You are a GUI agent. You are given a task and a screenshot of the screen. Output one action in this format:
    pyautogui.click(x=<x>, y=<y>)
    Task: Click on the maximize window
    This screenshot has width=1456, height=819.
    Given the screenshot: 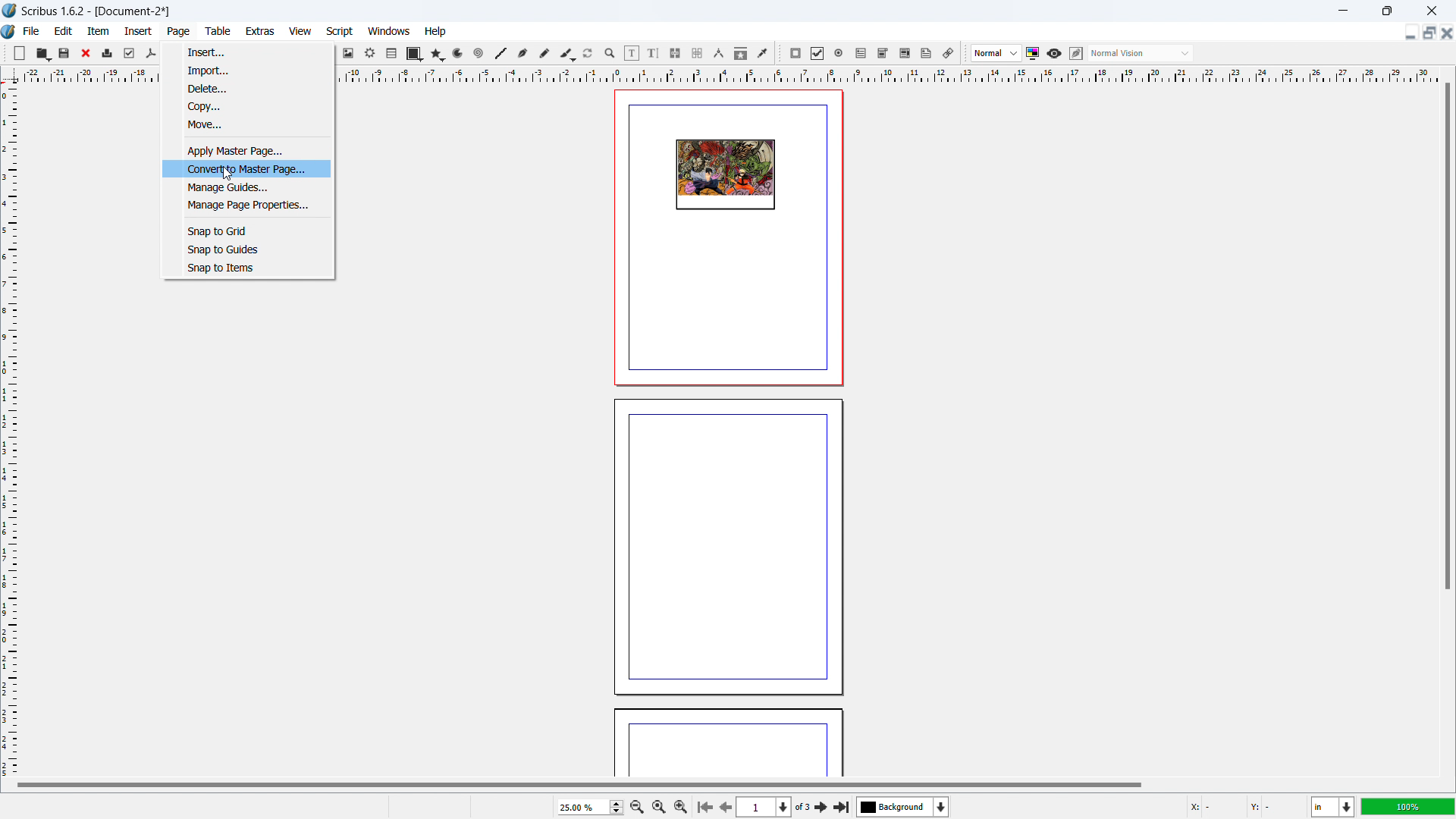 What is the action you would take?
    pyautogui.click(x=1385, y=11)
    